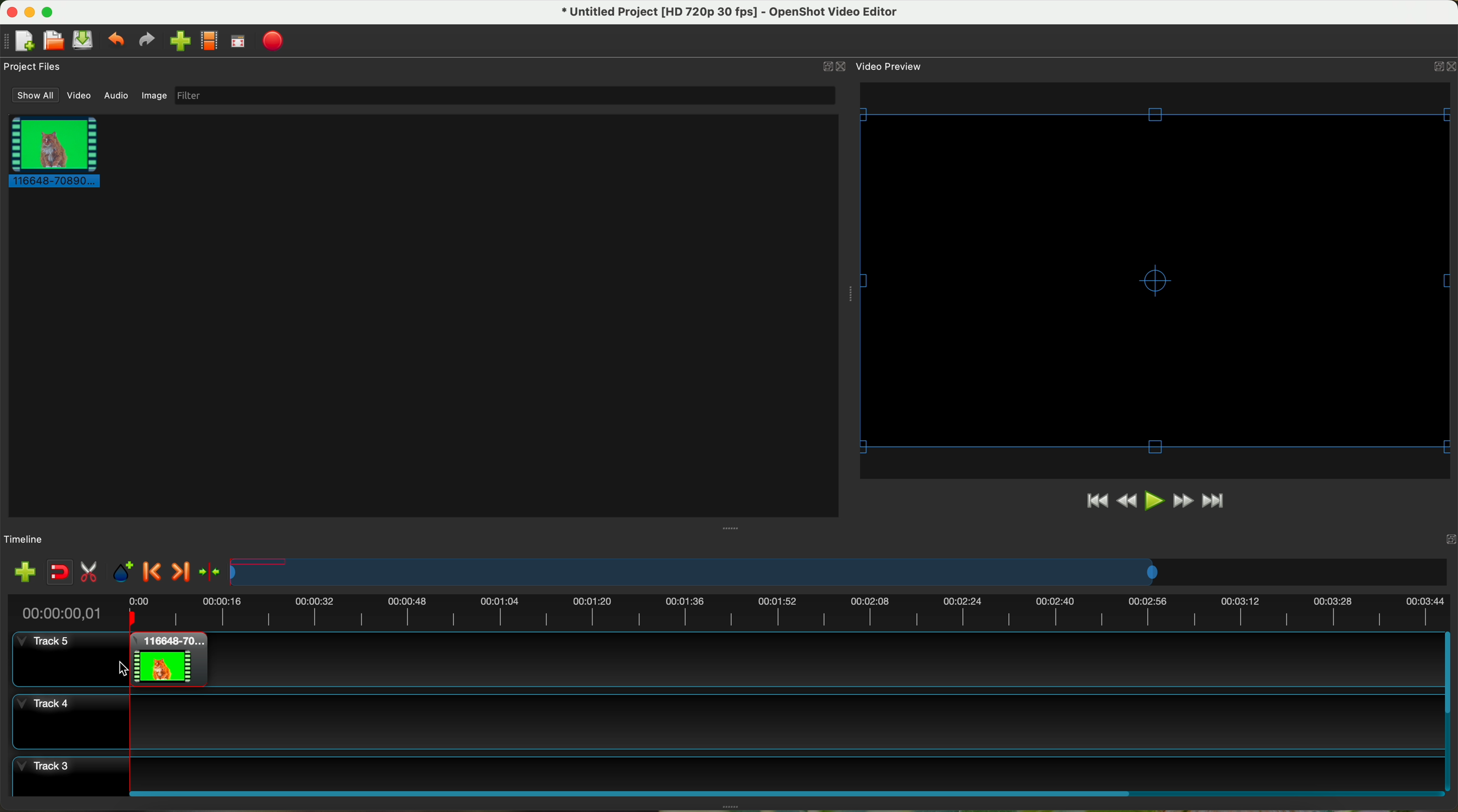 This screenshot has width=1458, height=812. Describe the element at coordinates (89, 573) in the screenshot. I see `enable razor` at that location.